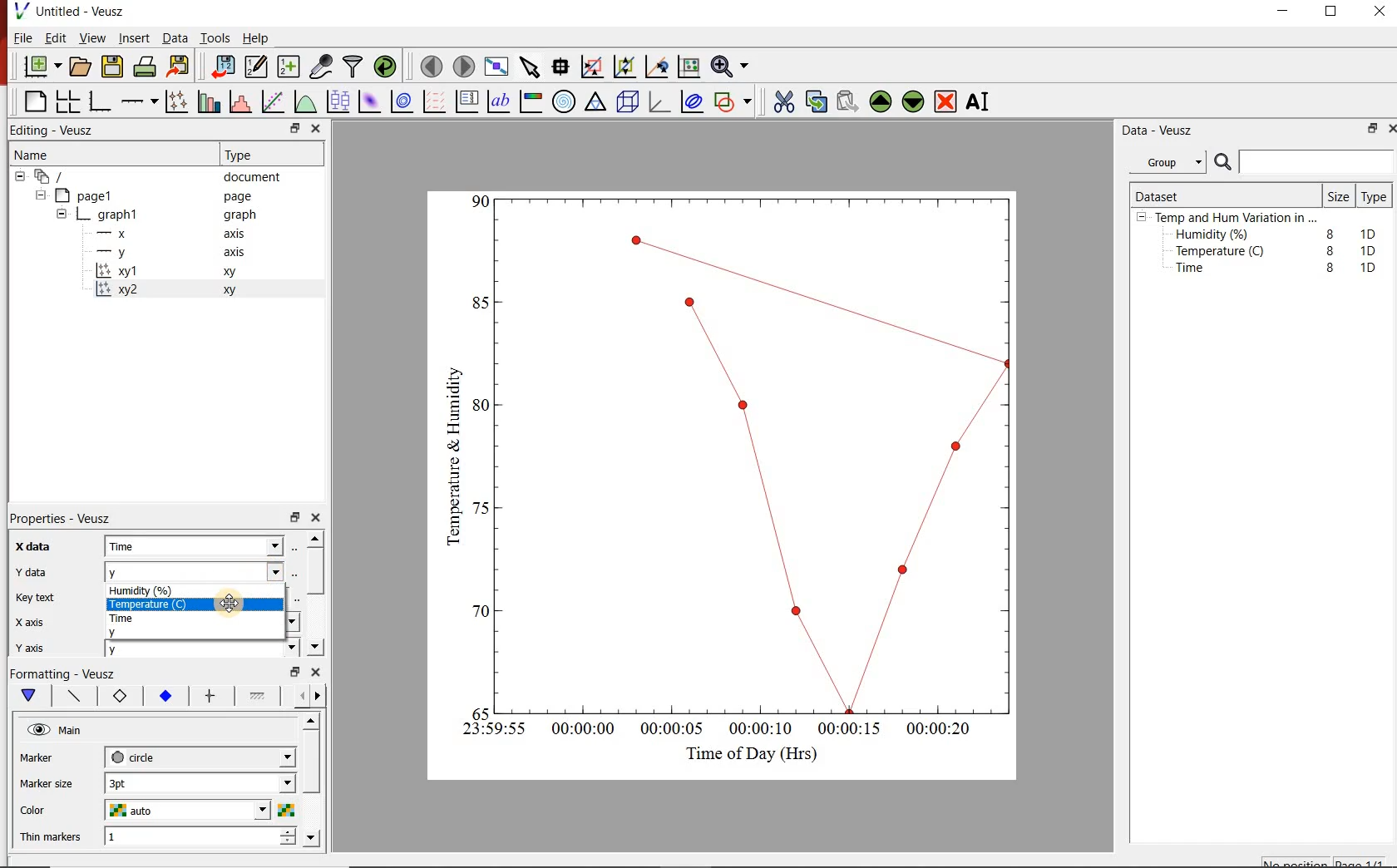  Describe the element at coordinates (210, 695) in the screenshot. I see `error bar line` at that location.